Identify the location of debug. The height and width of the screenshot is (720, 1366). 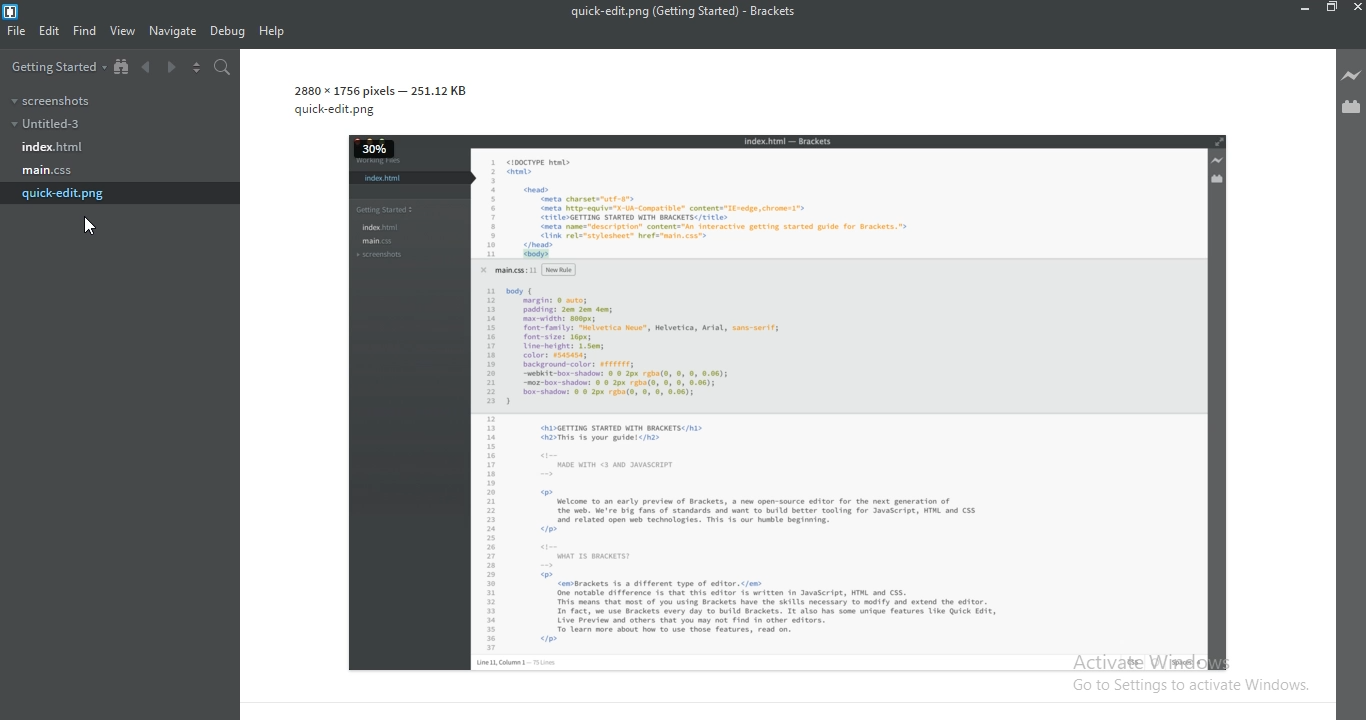
(225, 32).